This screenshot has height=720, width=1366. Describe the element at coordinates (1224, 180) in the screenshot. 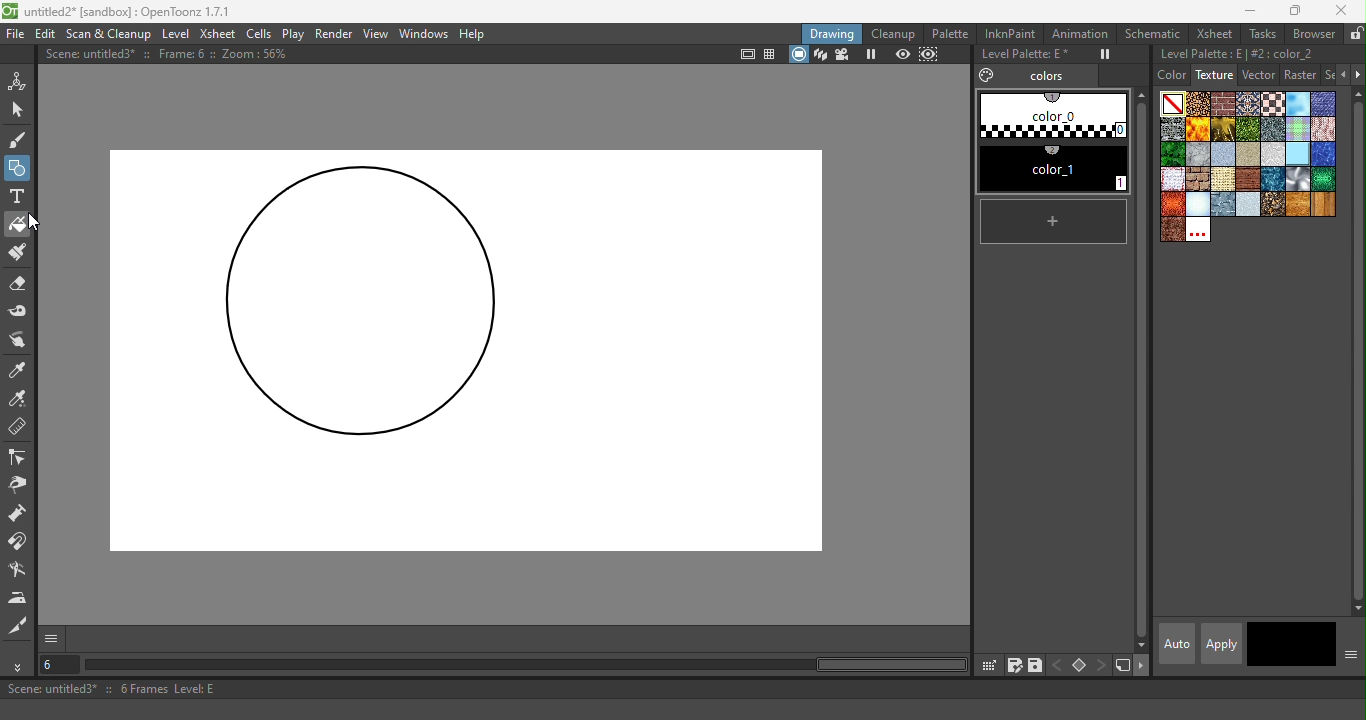

I see `roughcanvas.bmp` at that location.